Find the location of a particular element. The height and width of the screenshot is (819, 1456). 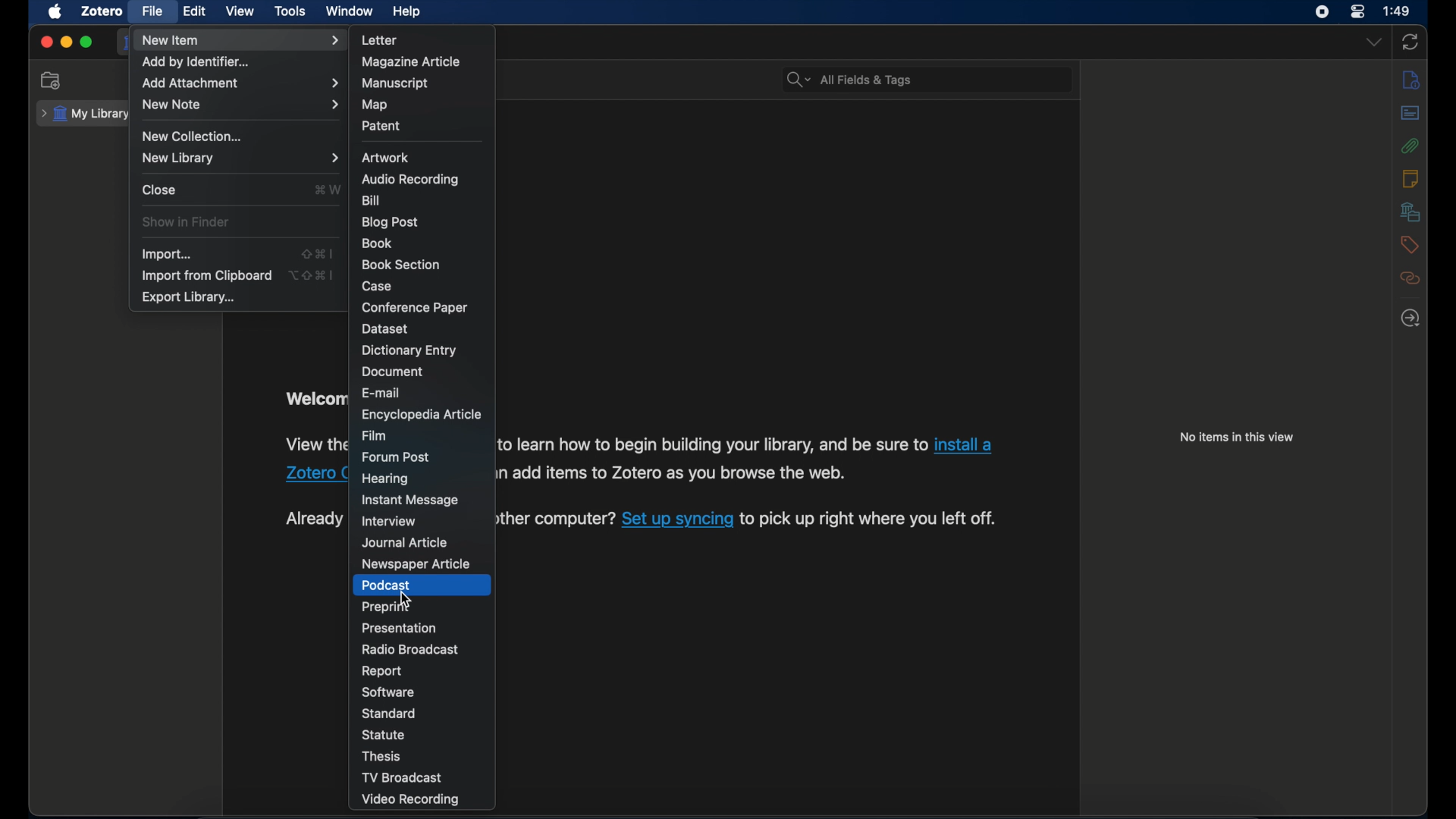

manuscript is located at coordinates (396, 84).